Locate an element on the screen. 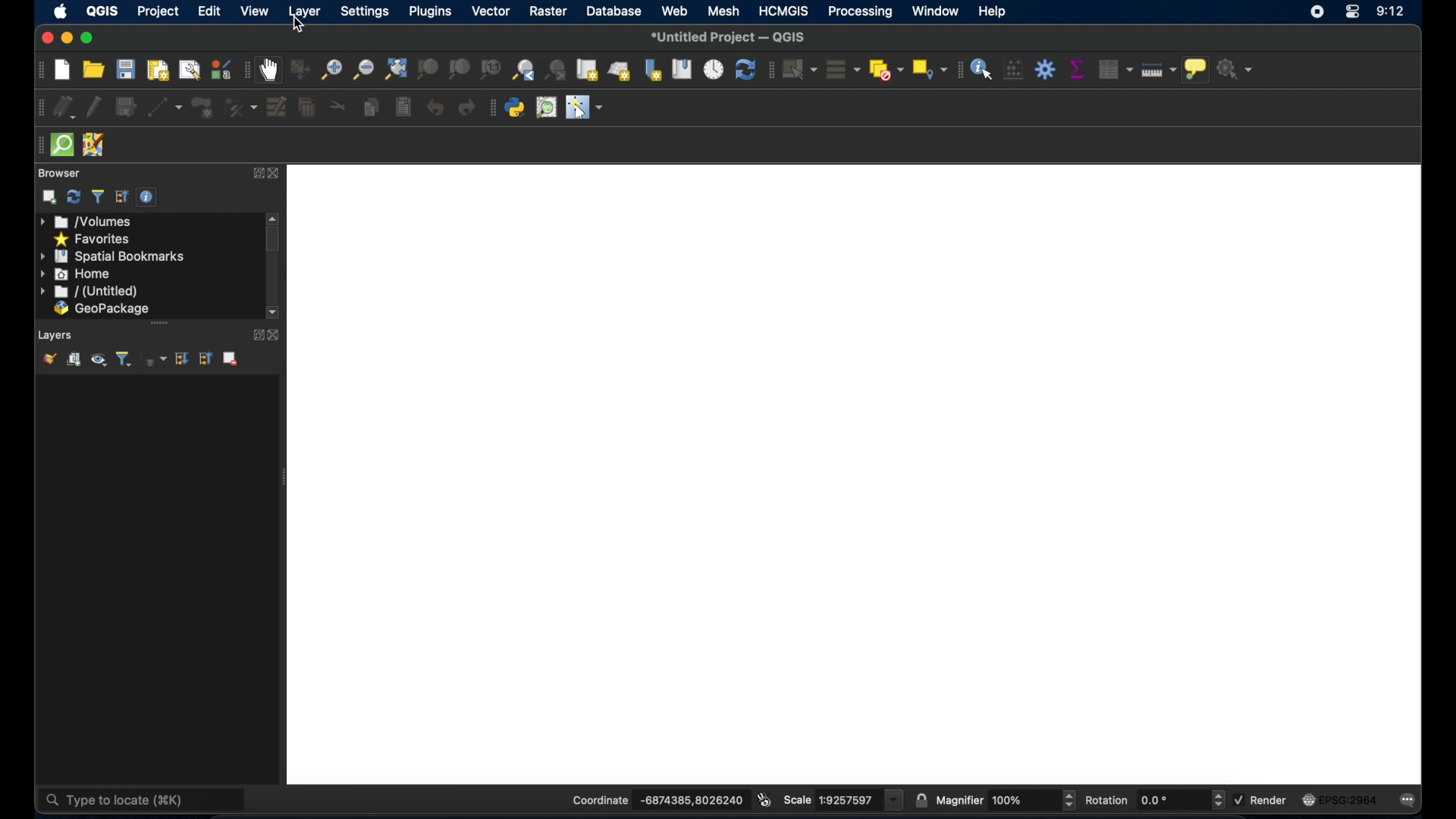 The height and width of the screenshot is (819, 1456). zoom to layer is located at coordinates (460, 70).